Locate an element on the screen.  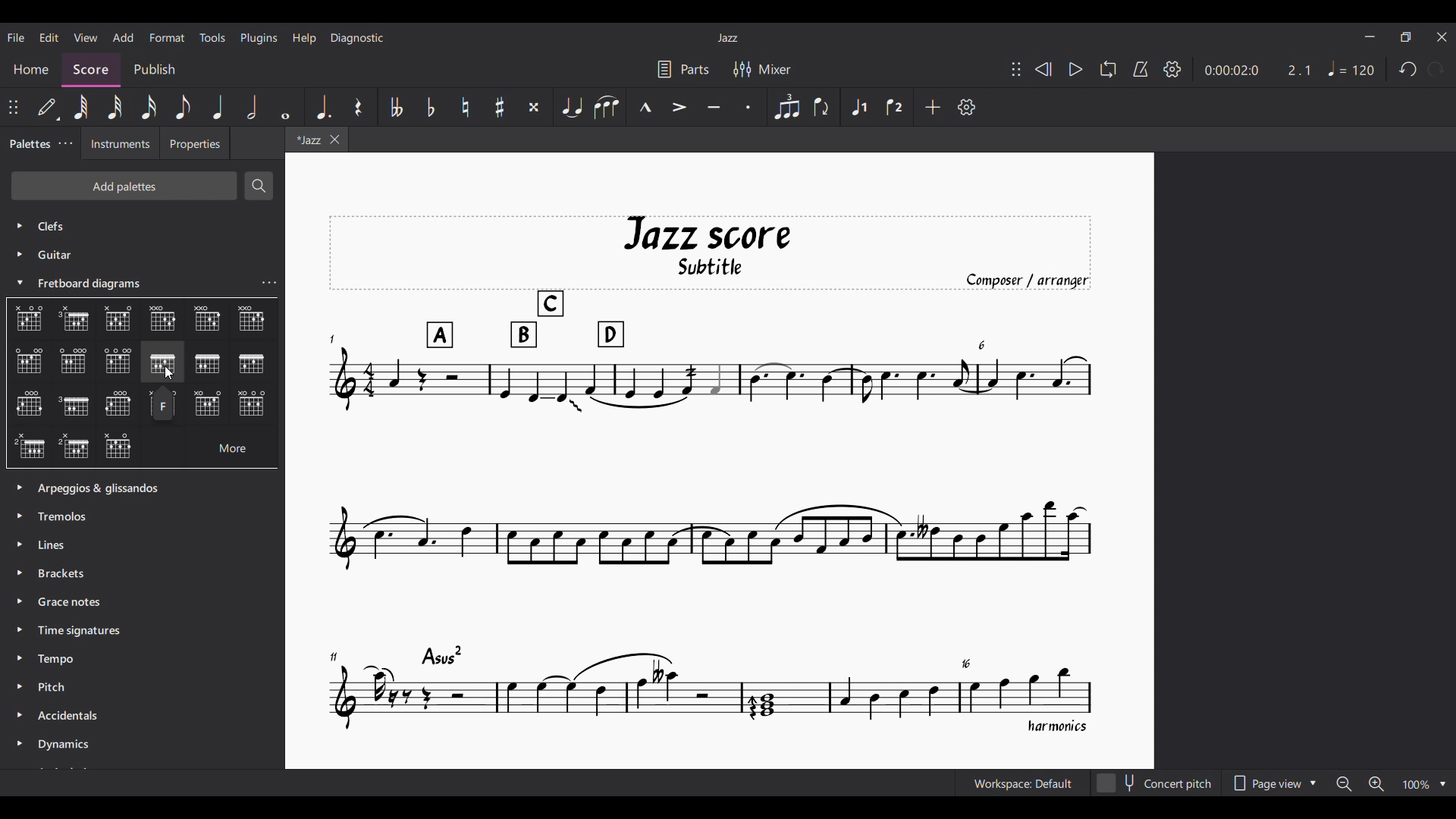
Chart 15 is located at coordinates (187, 405).